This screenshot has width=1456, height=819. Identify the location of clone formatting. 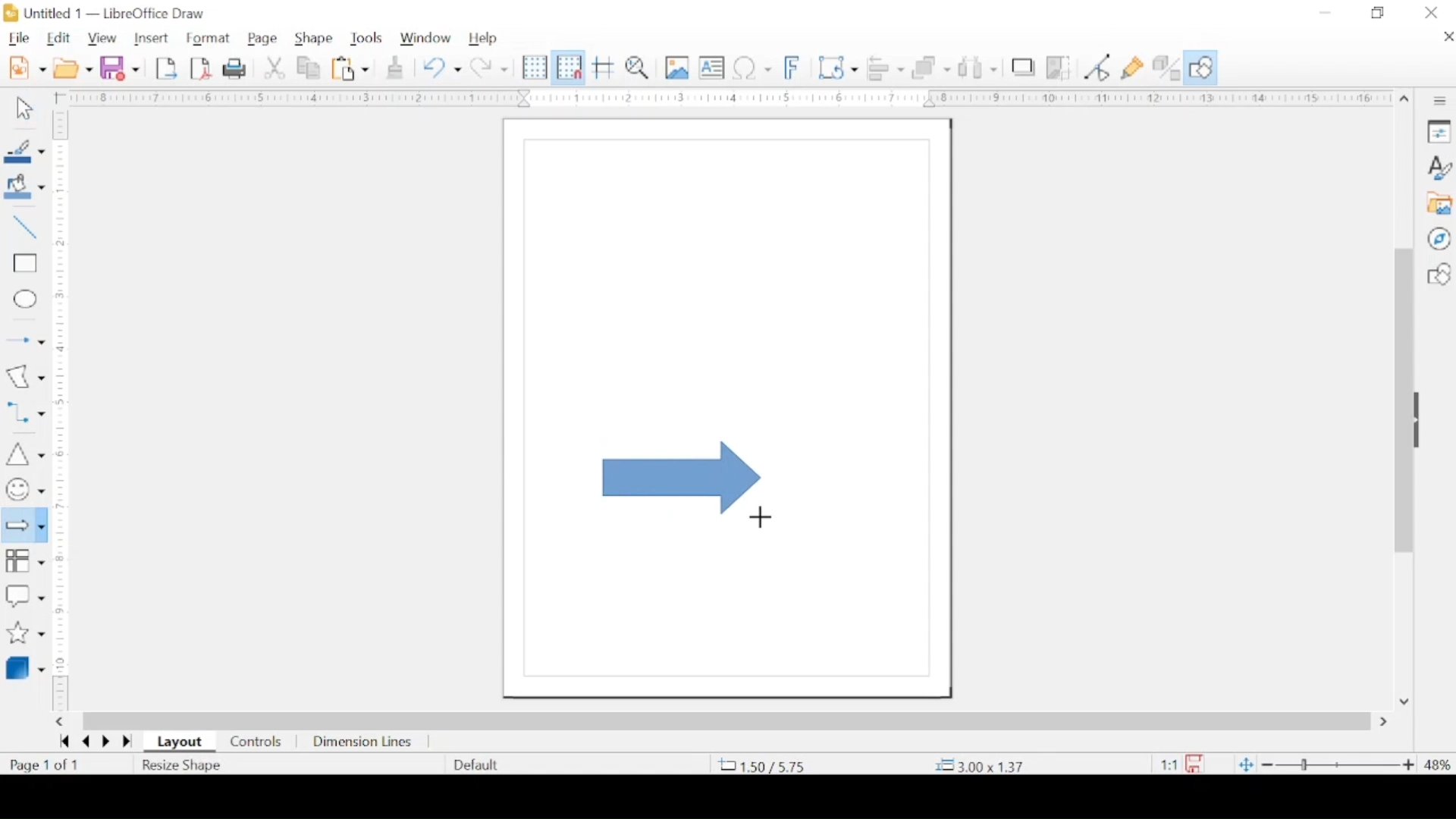
(395, 67).